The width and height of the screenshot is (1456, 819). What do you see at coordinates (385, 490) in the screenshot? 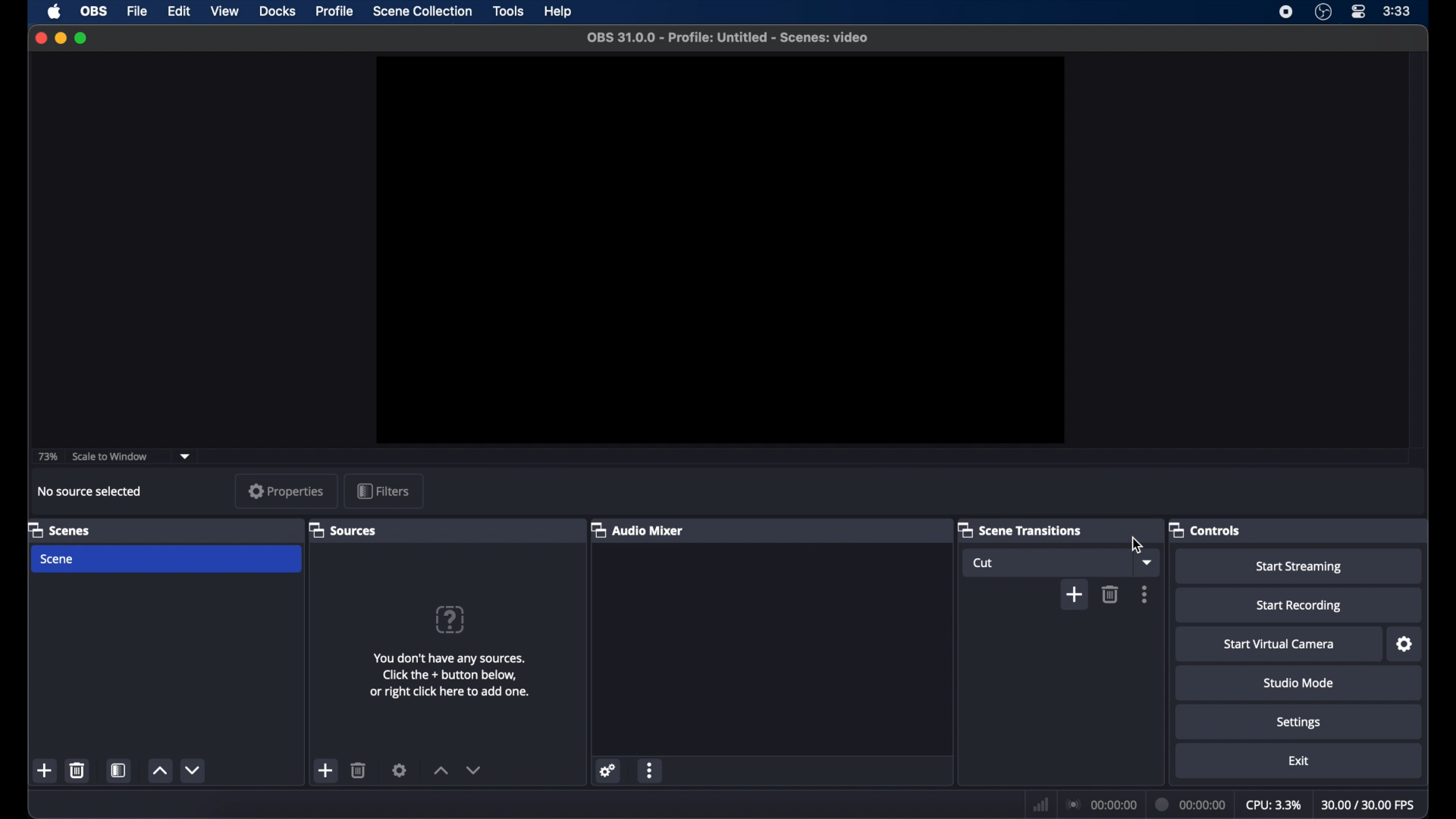
I see `filters` at bounding box center [385, 490].